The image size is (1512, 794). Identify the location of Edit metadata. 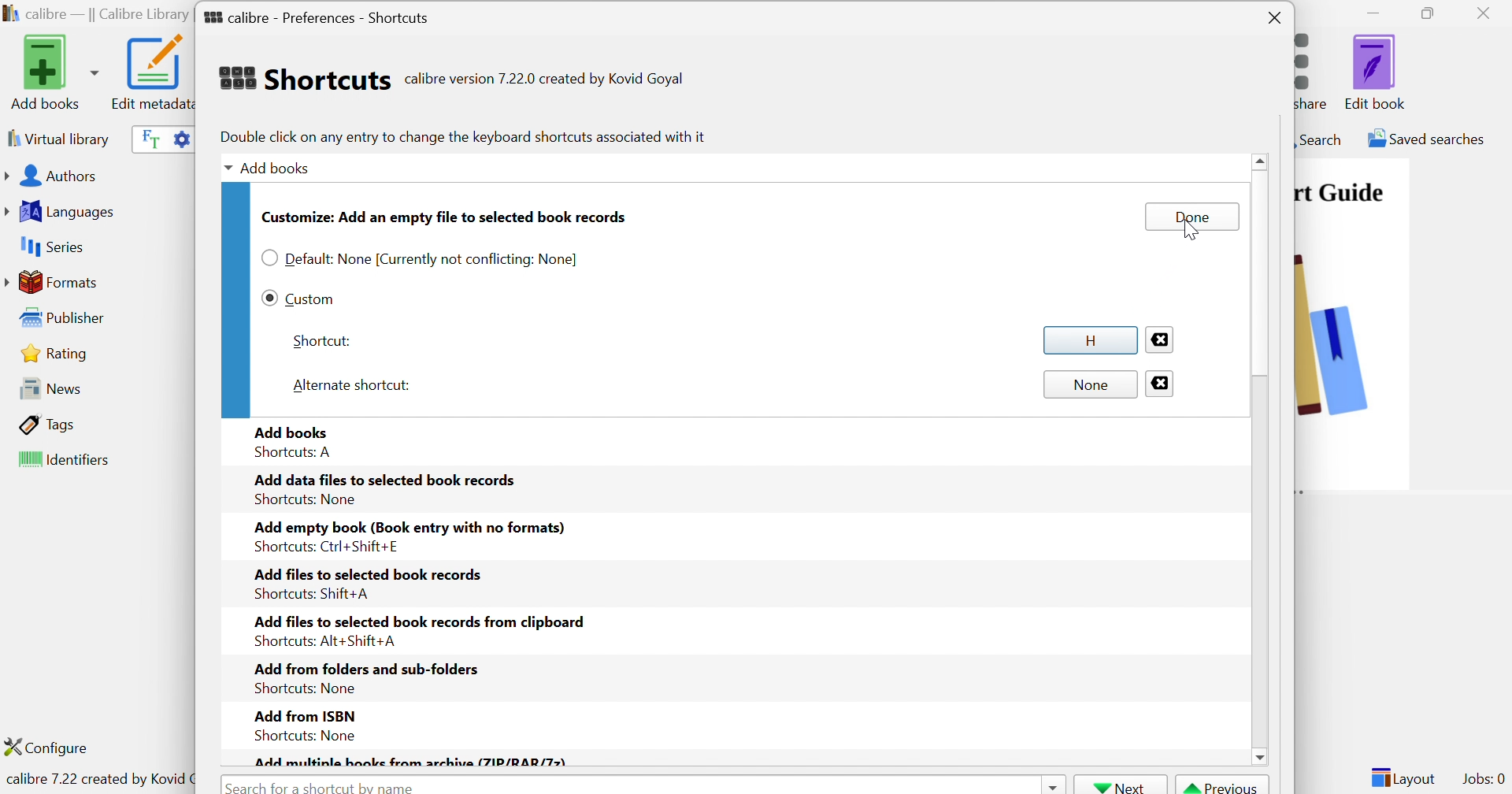
(150, 72).